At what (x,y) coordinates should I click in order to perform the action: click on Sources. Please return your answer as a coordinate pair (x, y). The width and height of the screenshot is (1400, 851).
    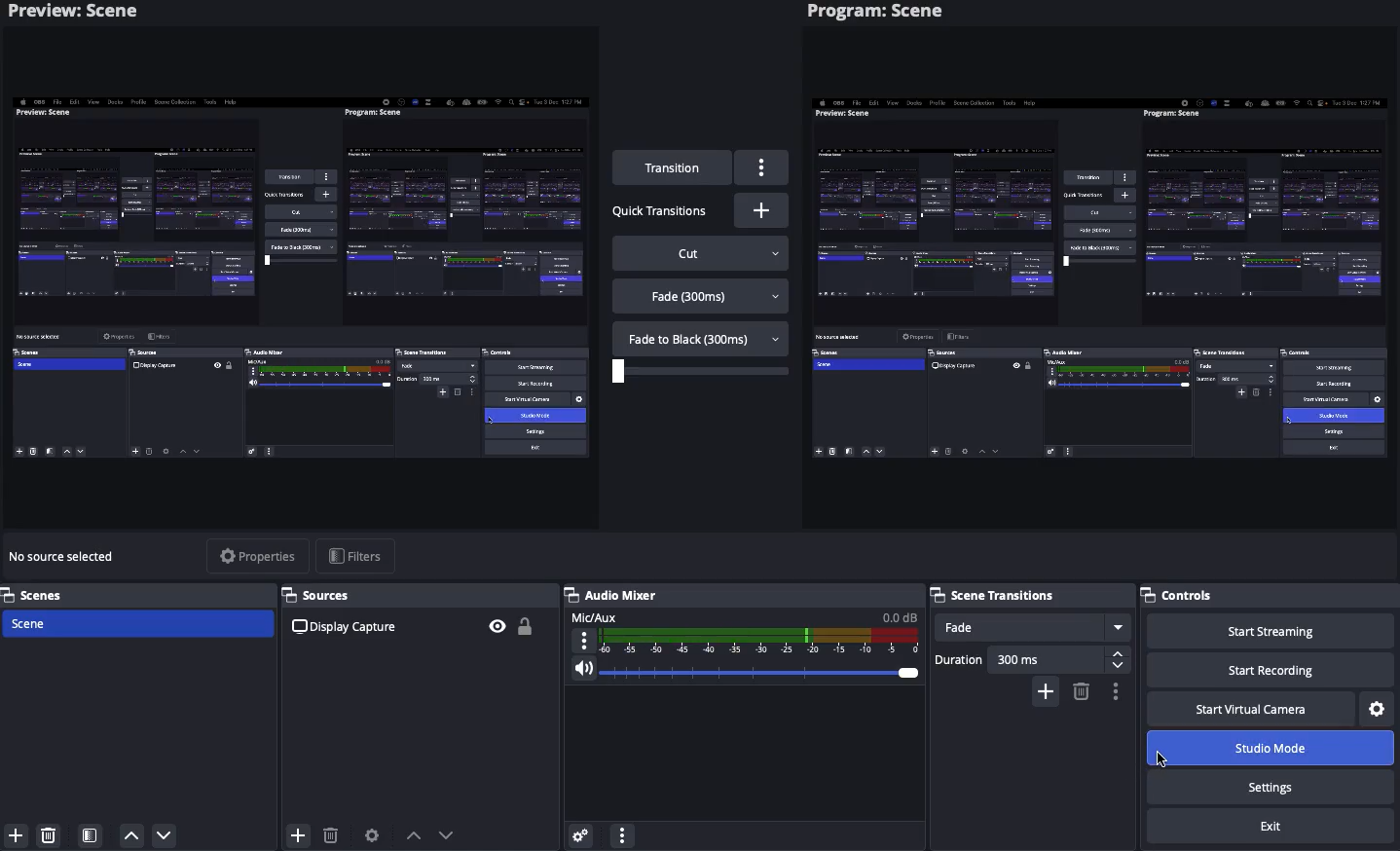
    Looking at the image, I should click on (419, 596).